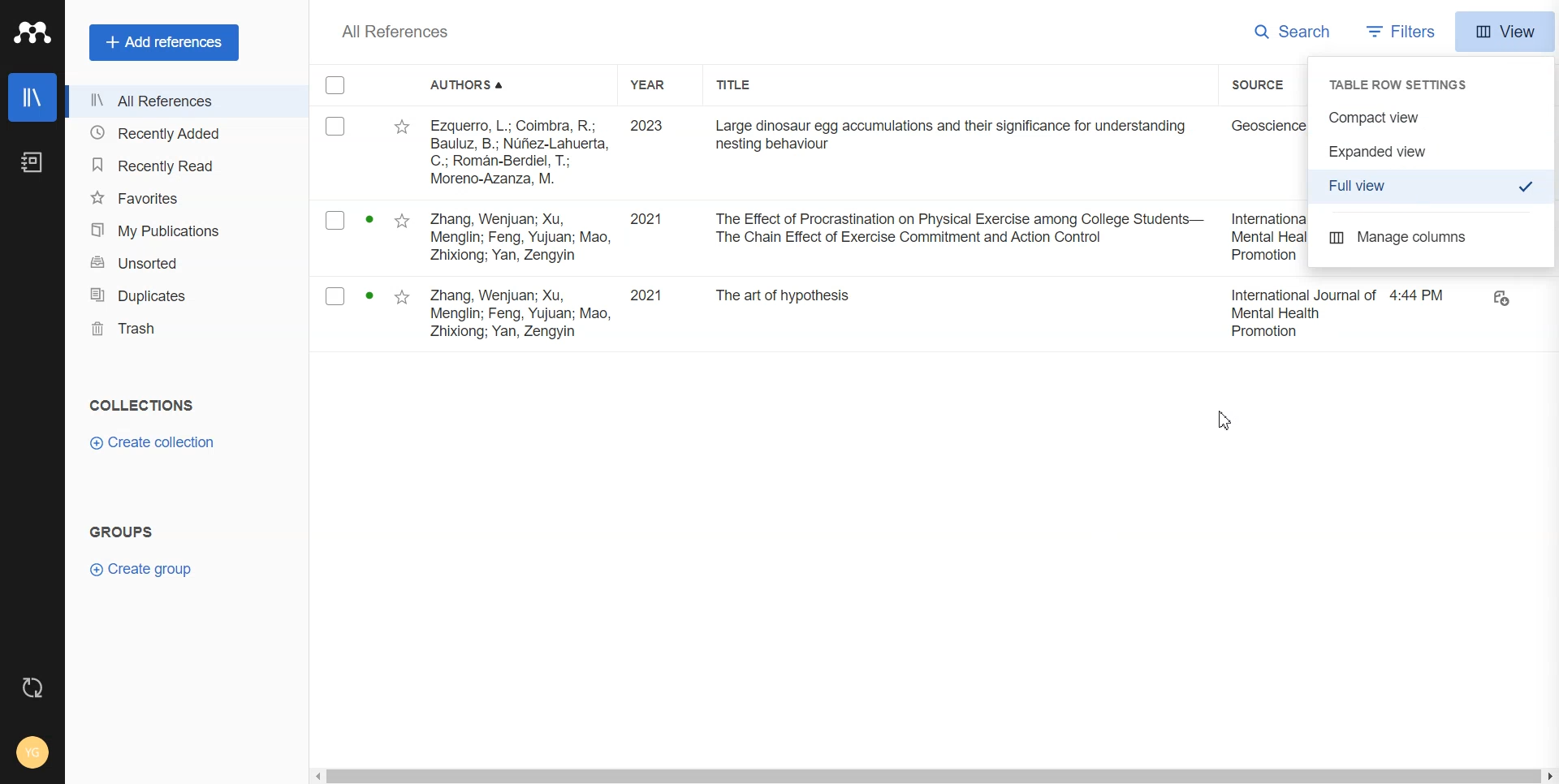 The width and height of the screenshot is (1559, 784). What do you see at coordinates (931, 775) in the screenshot?
I see `Horizontal scroll bar` at bounding box center [931, 775].